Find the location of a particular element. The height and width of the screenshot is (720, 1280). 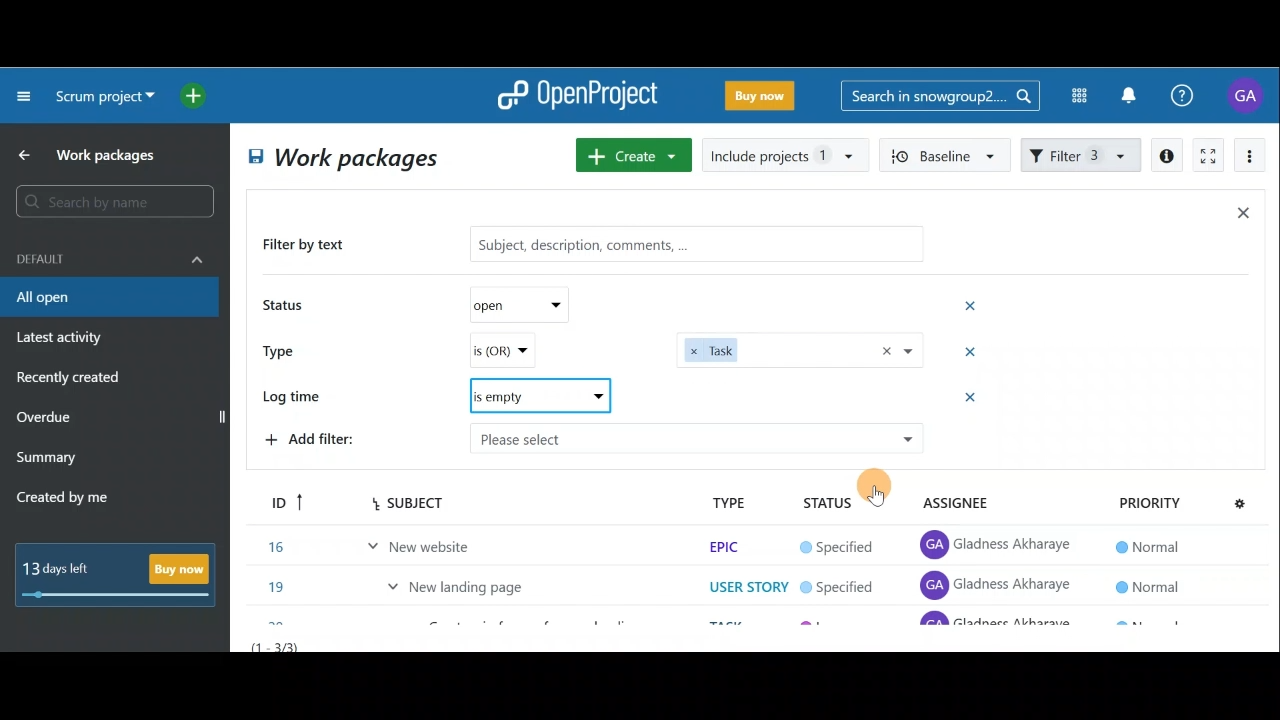

user story is located at coordinates (748, 542).